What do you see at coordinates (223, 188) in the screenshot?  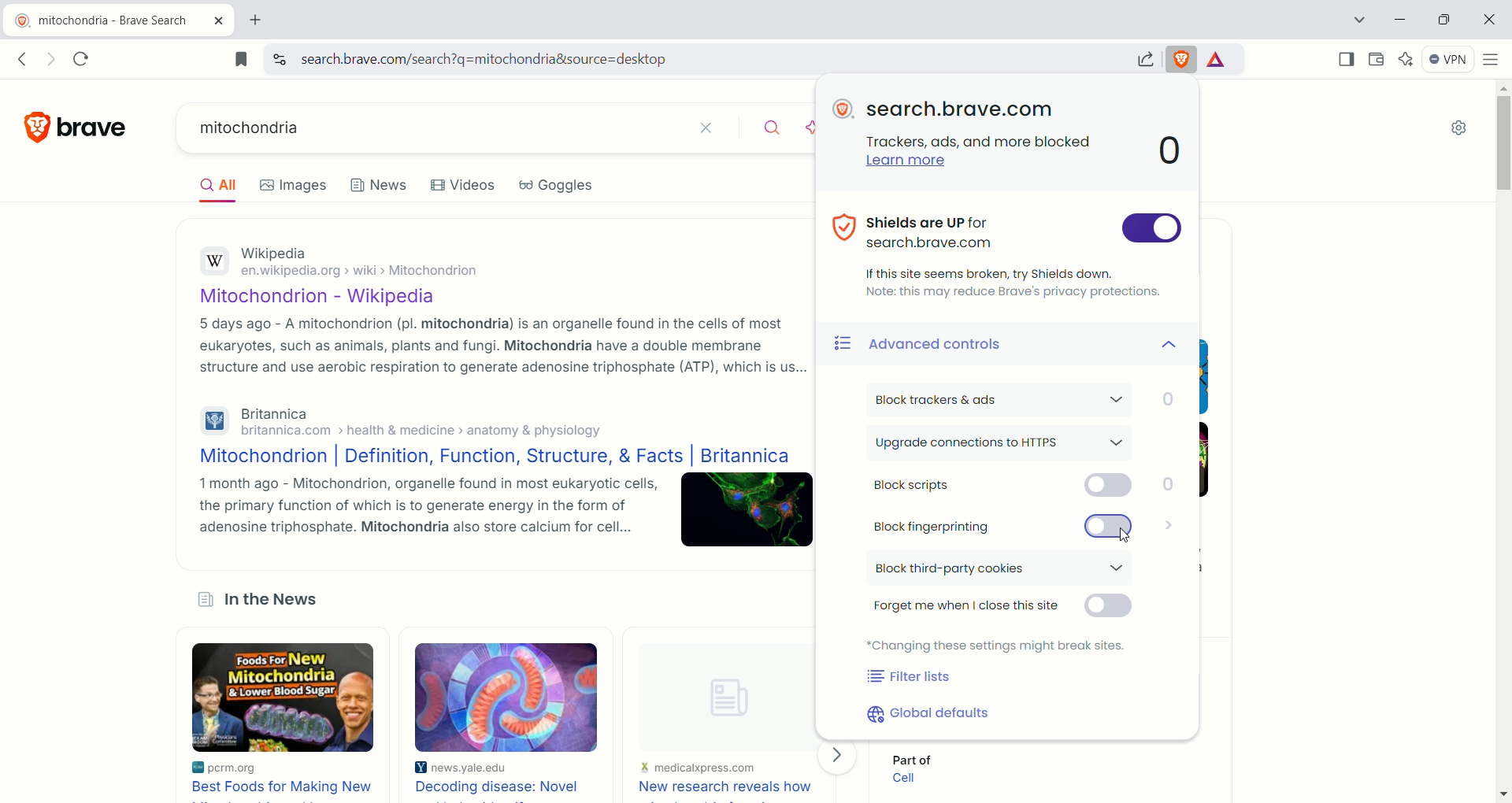 I see `All` at bounding box center [223, 188].